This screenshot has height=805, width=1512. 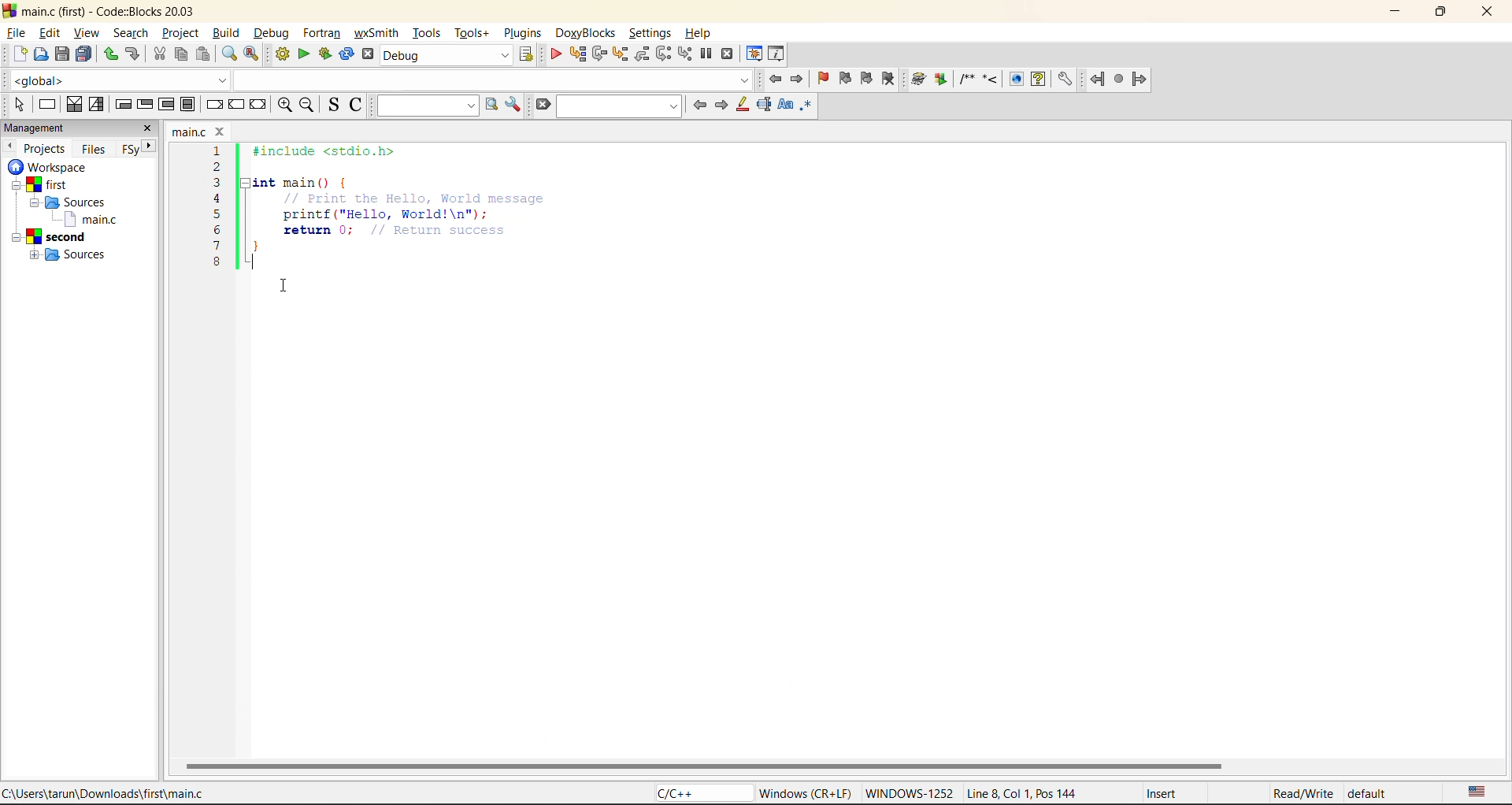 I want to click on files, so click(x=94, y=150).